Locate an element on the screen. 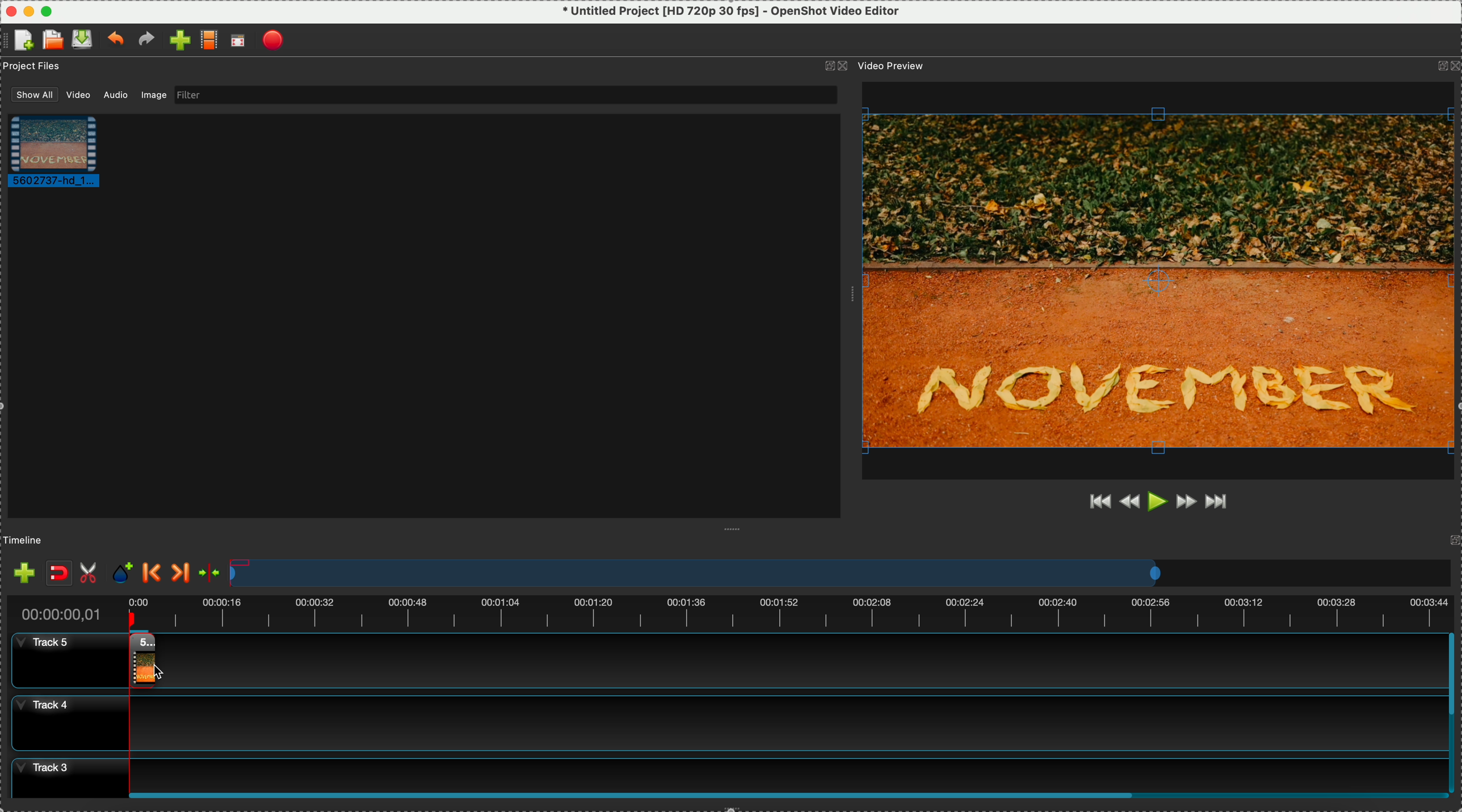 This screenshot has height=812, width=1462. create file is located at coordinates (21, 41).